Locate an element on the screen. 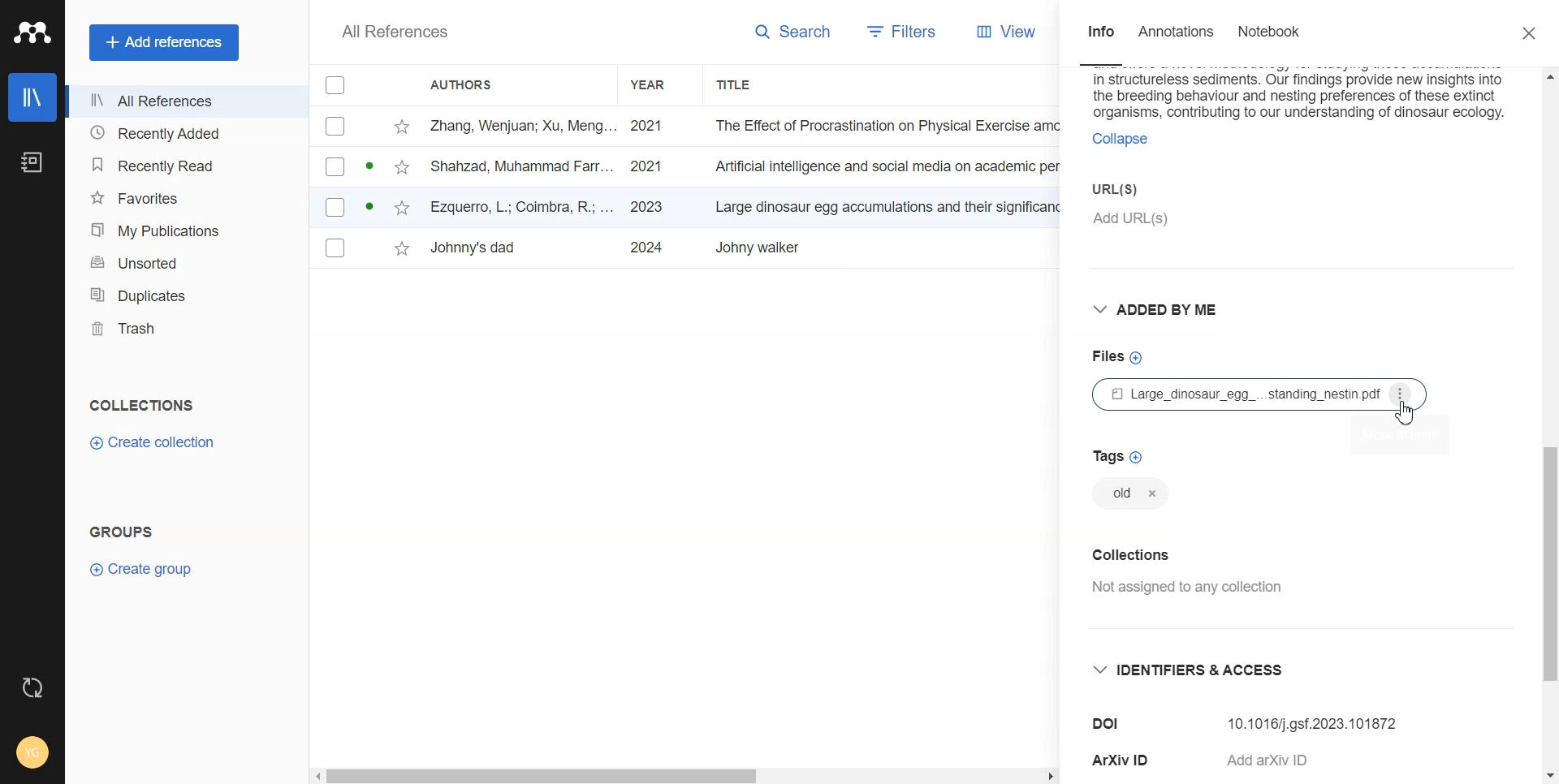 The width and height of the screenshot is (1559, 784). Hide/Show Identifiers & Access is located at coordinates (1198, 669).